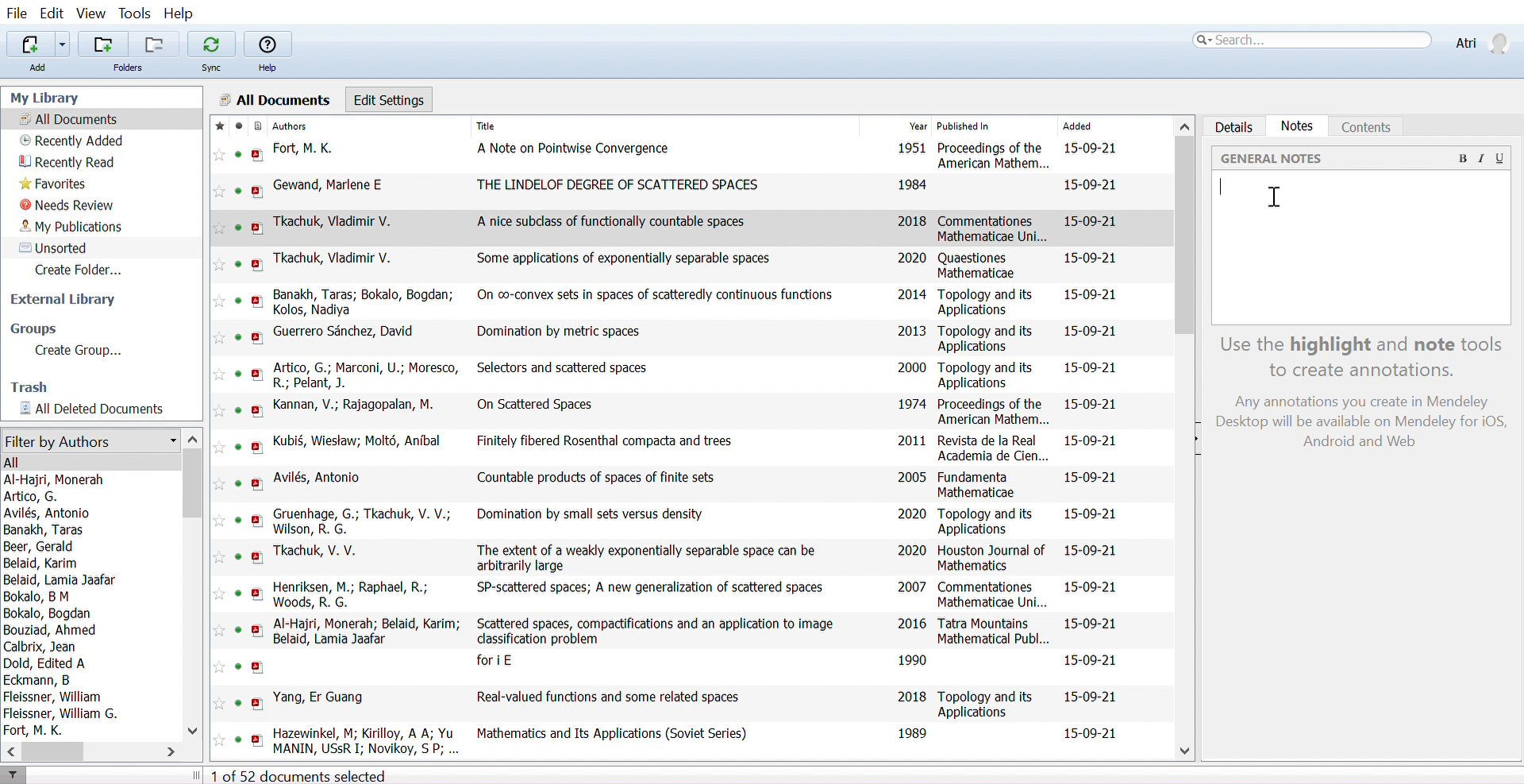  I want to click on Commentationes Mathematicae Uni..., so click(994, 594).